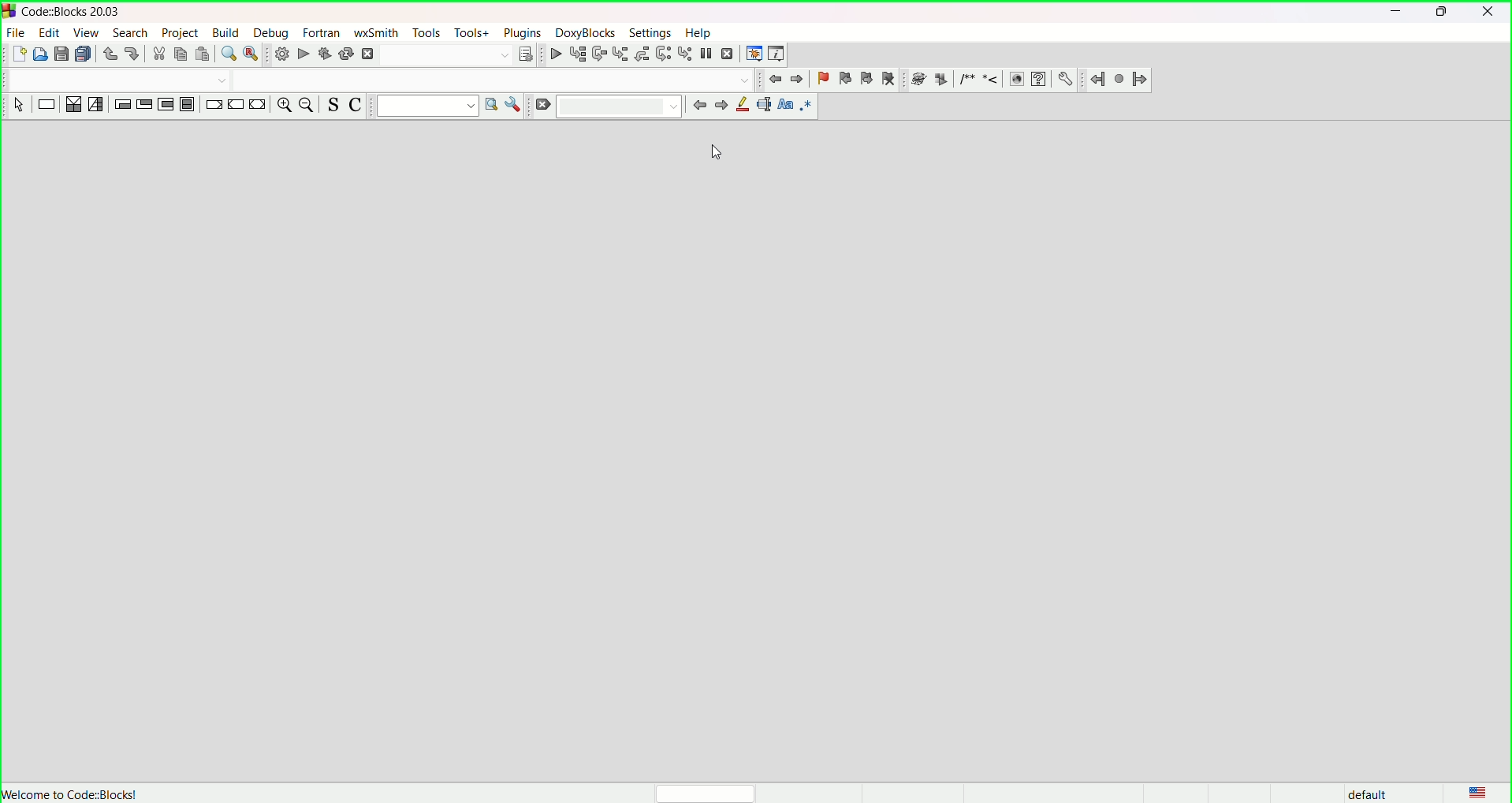 The width and height of the screenshot is (1512, 803). Describe the element at coordinates (1476, 790) in the screenshot. I see `language` at that location.